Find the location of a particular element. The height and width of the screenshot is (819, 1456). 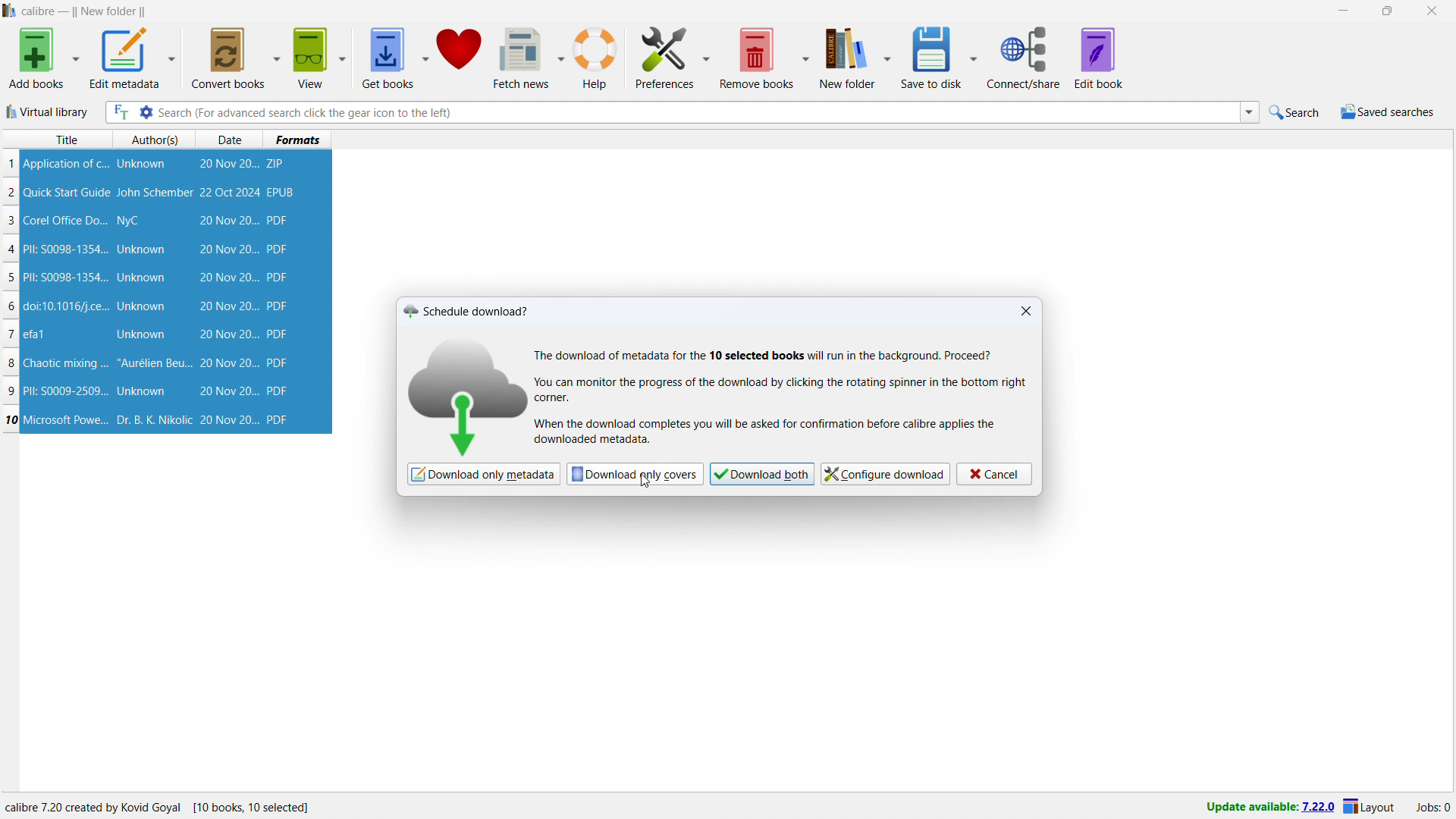

Author(s) is located at coordinates (155, 140).